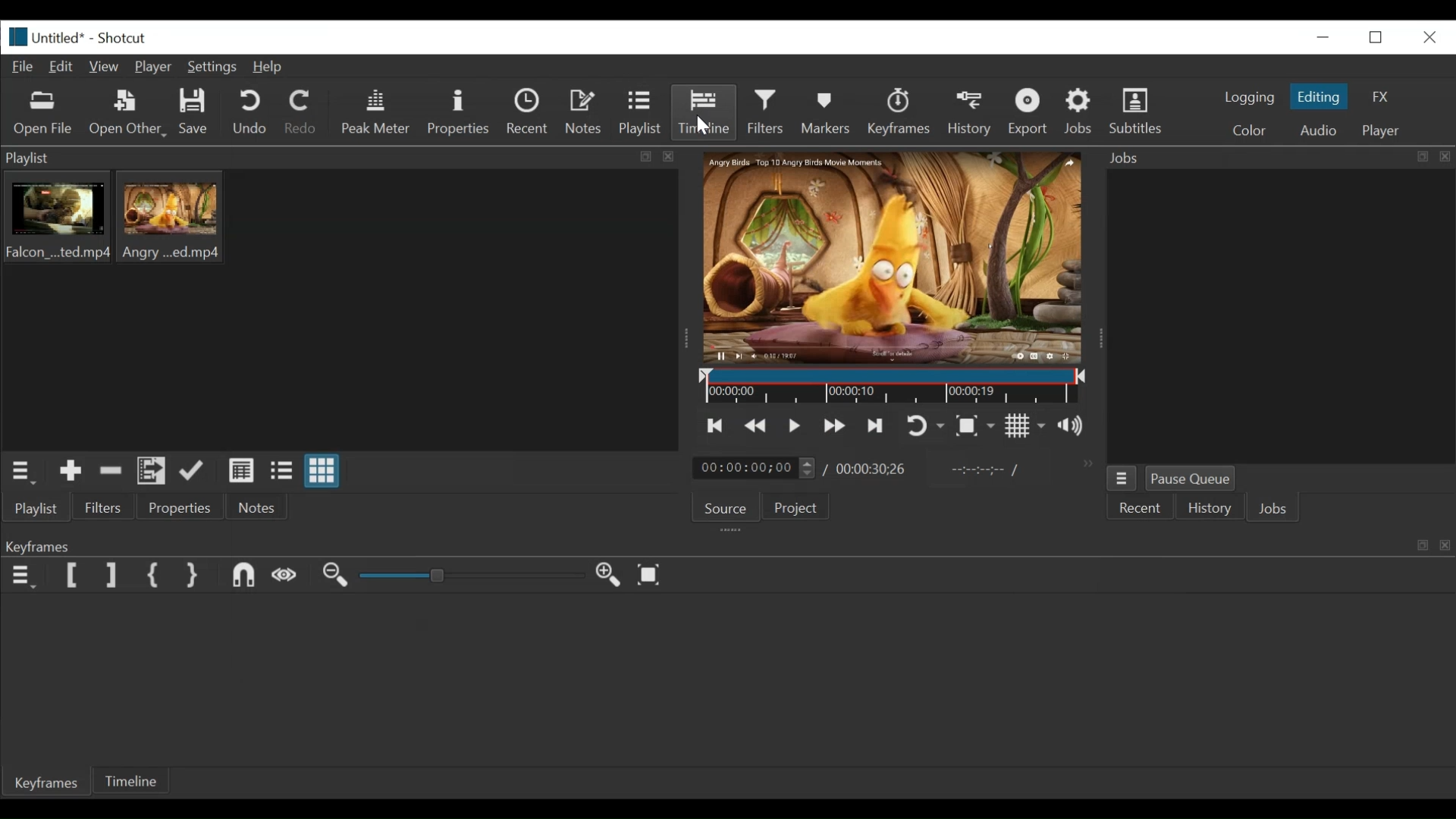  What do you see at coordinates (1275, 510) in the screenshot?
I see `JOBS` at bounding box center [1275, 510].